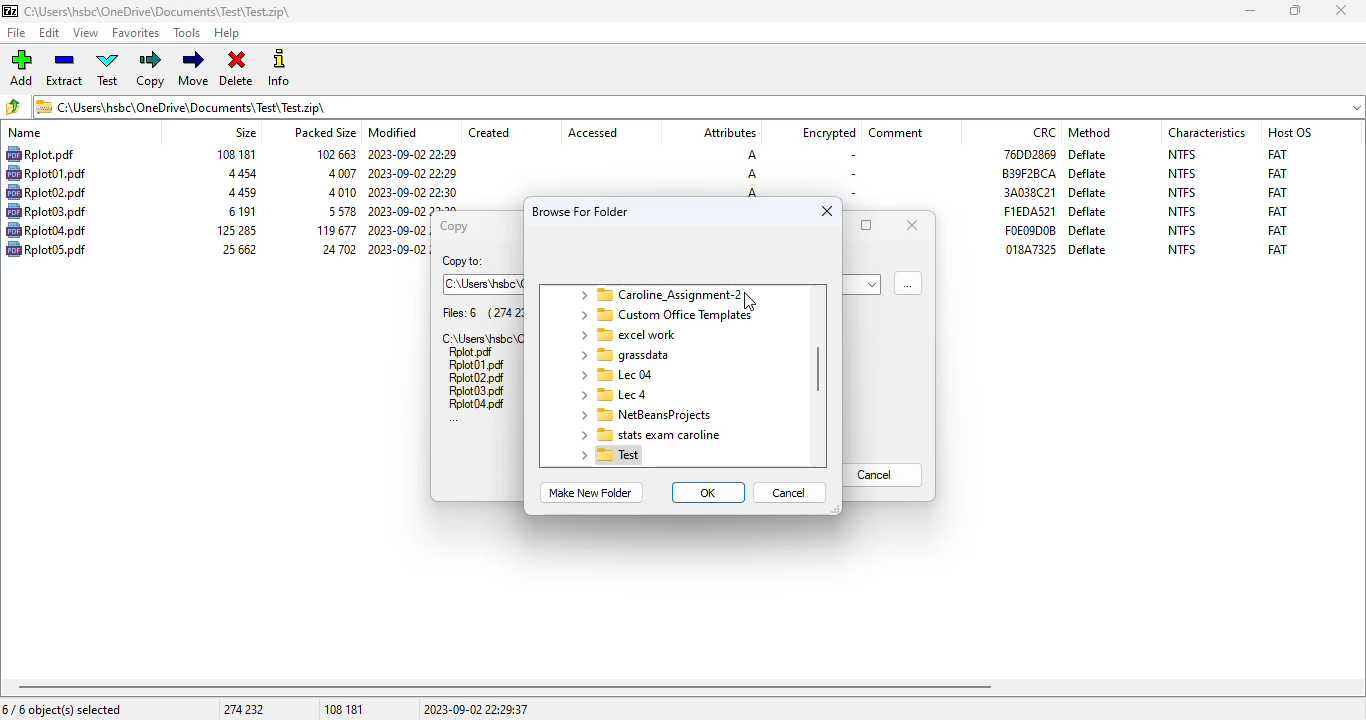  Describe the element at coordinates (279, 67) in the screenshot. I see `info` at that location.